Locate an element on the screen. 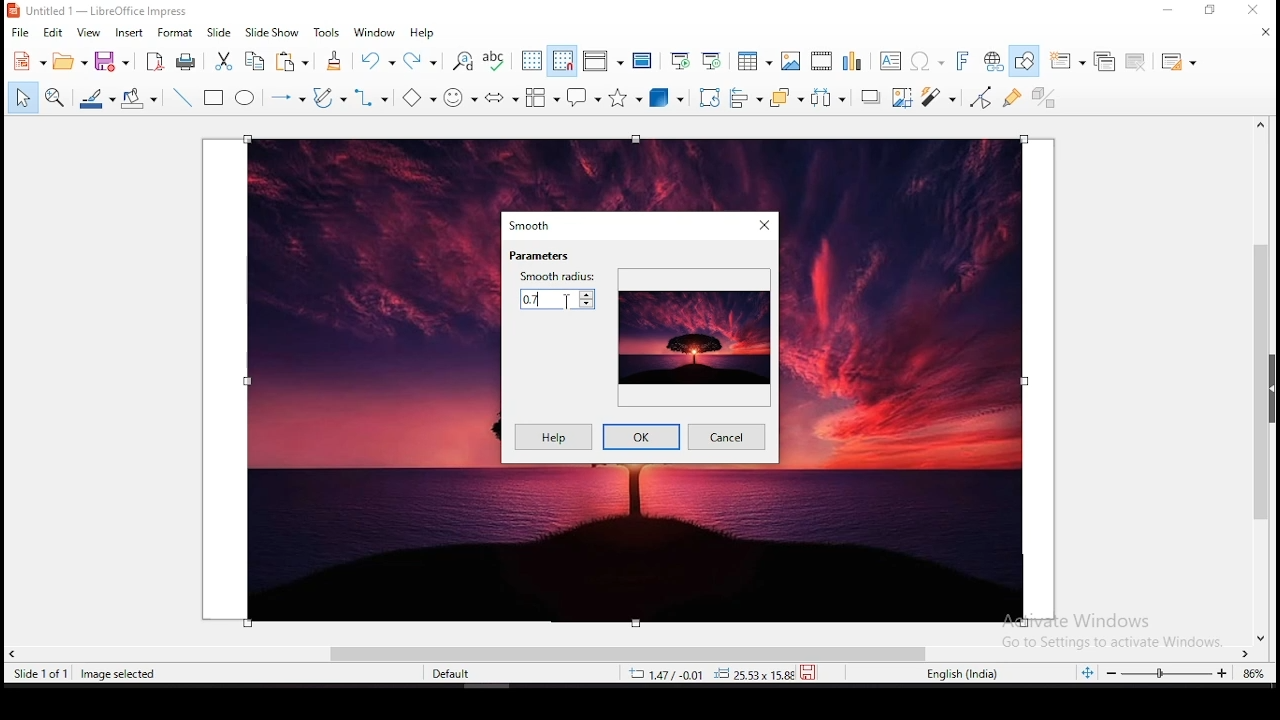  preview is located at coordinates (693, 335).